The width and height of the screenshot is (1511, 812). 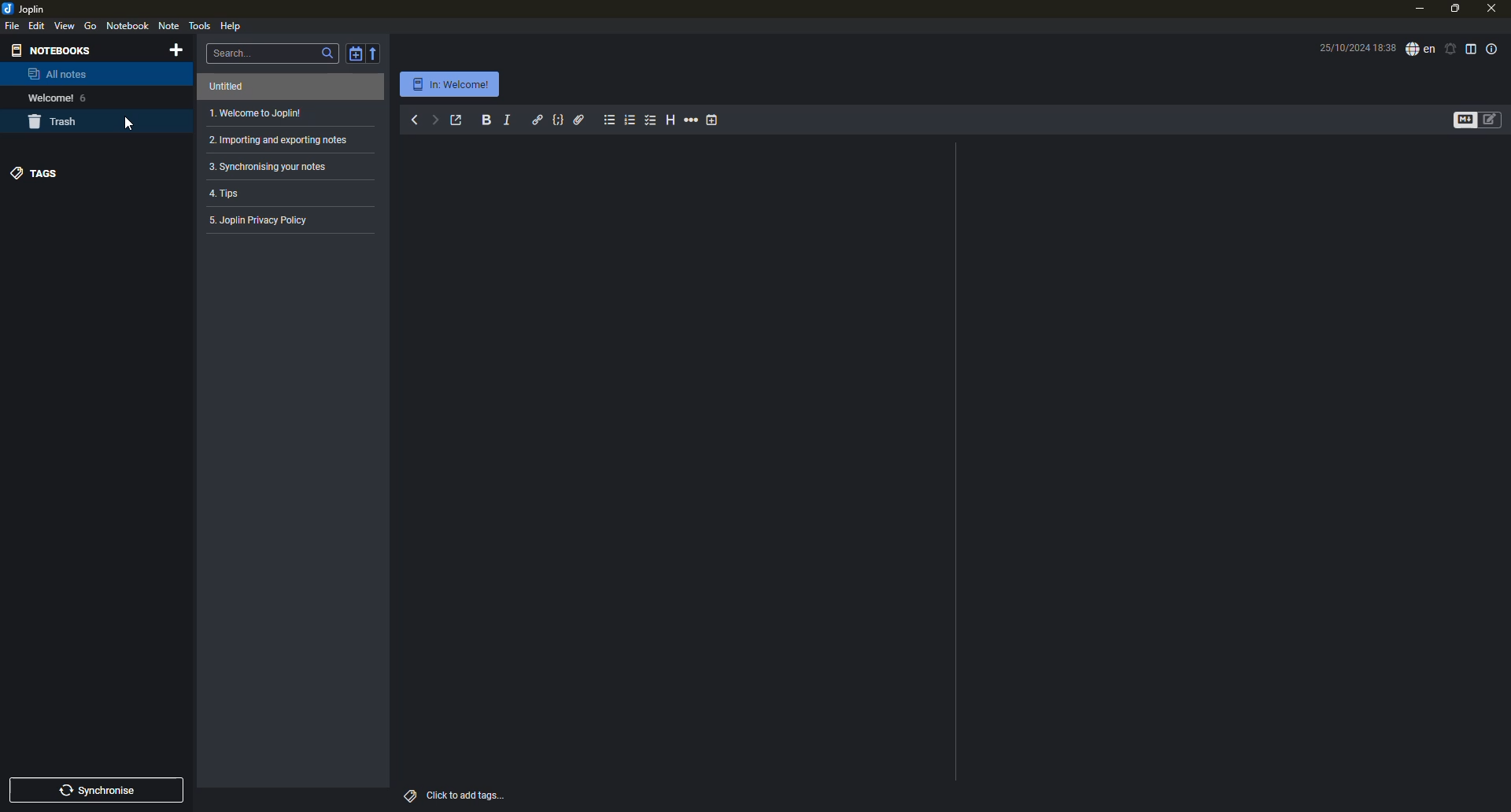 I want to click on tools, so click(x=200, y=25).